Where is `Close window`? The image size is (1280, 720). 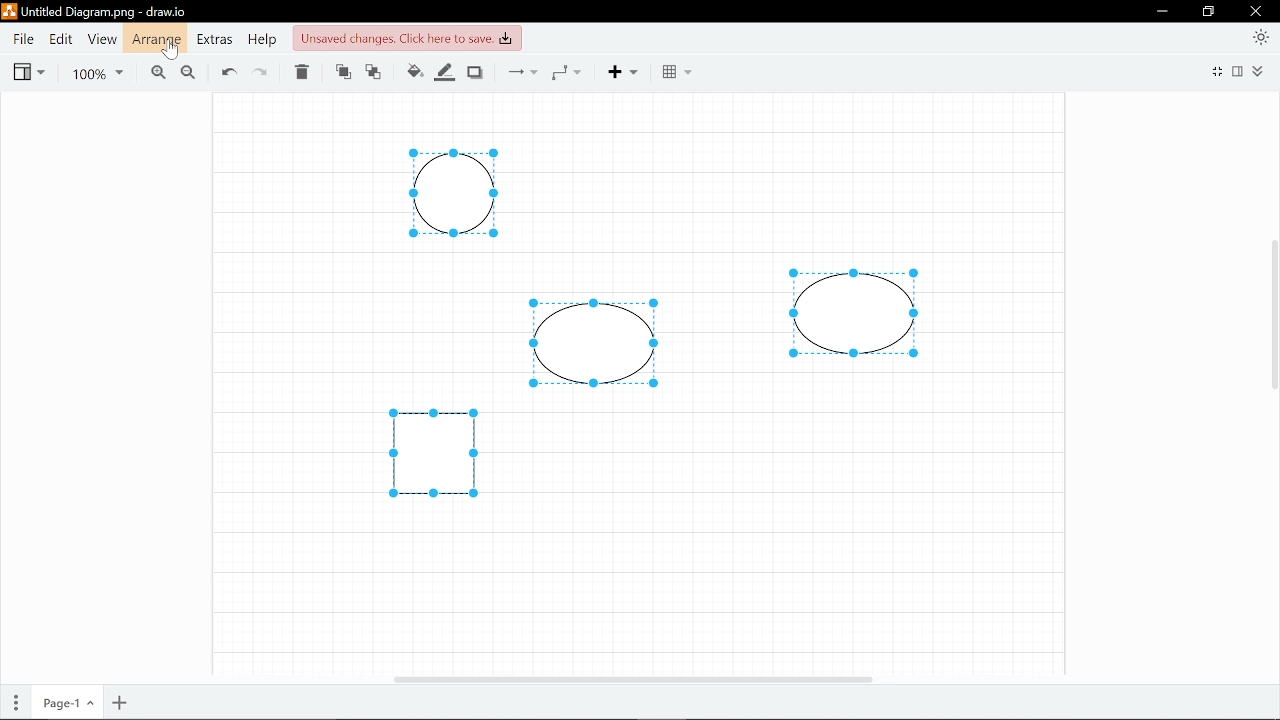
Close window is located at coordinates (1257, 11).